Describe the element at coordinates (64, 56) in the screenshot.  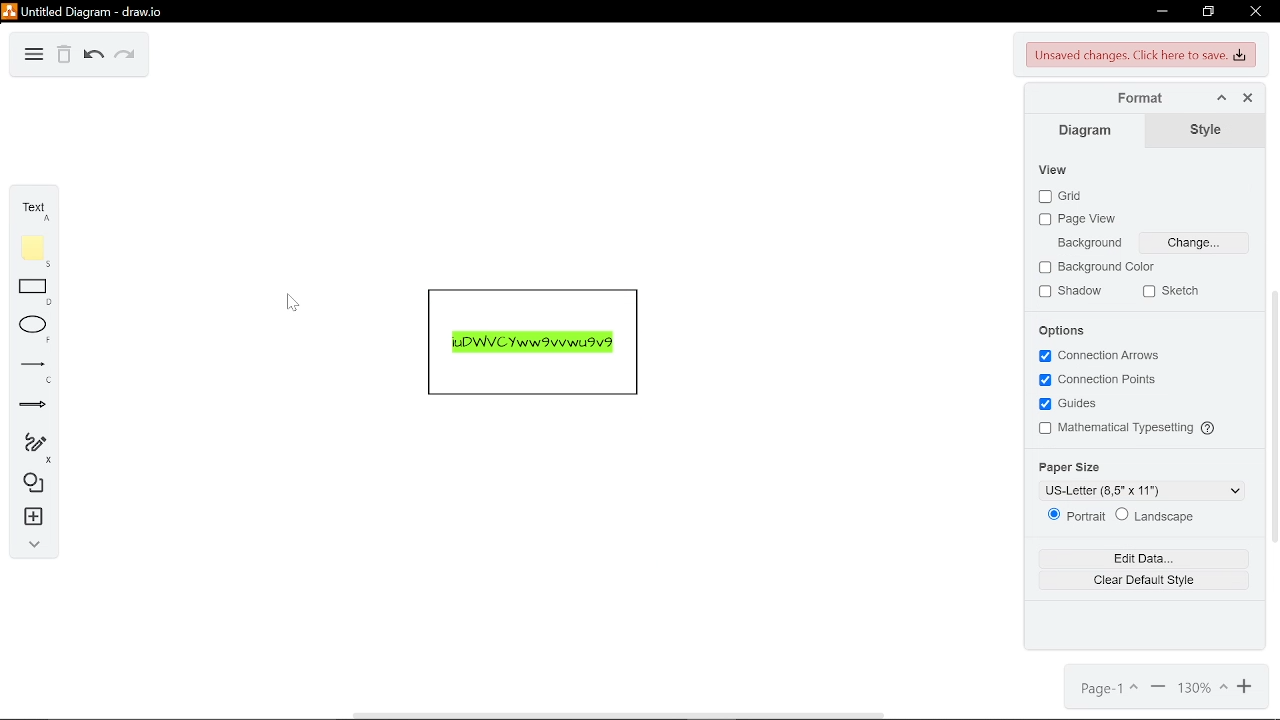
I see `delete` at that location.